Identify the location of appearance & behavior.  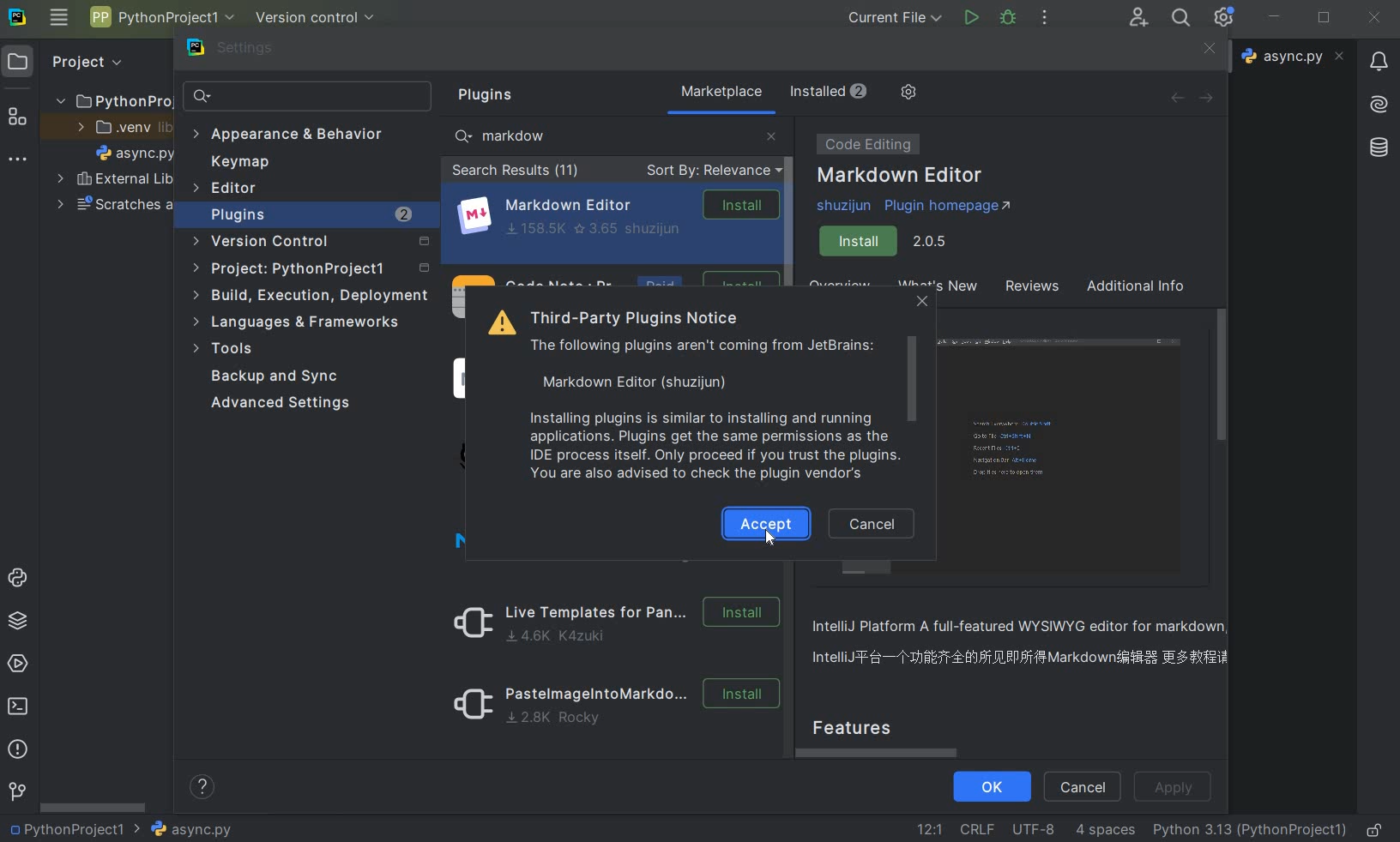
(288, 135).